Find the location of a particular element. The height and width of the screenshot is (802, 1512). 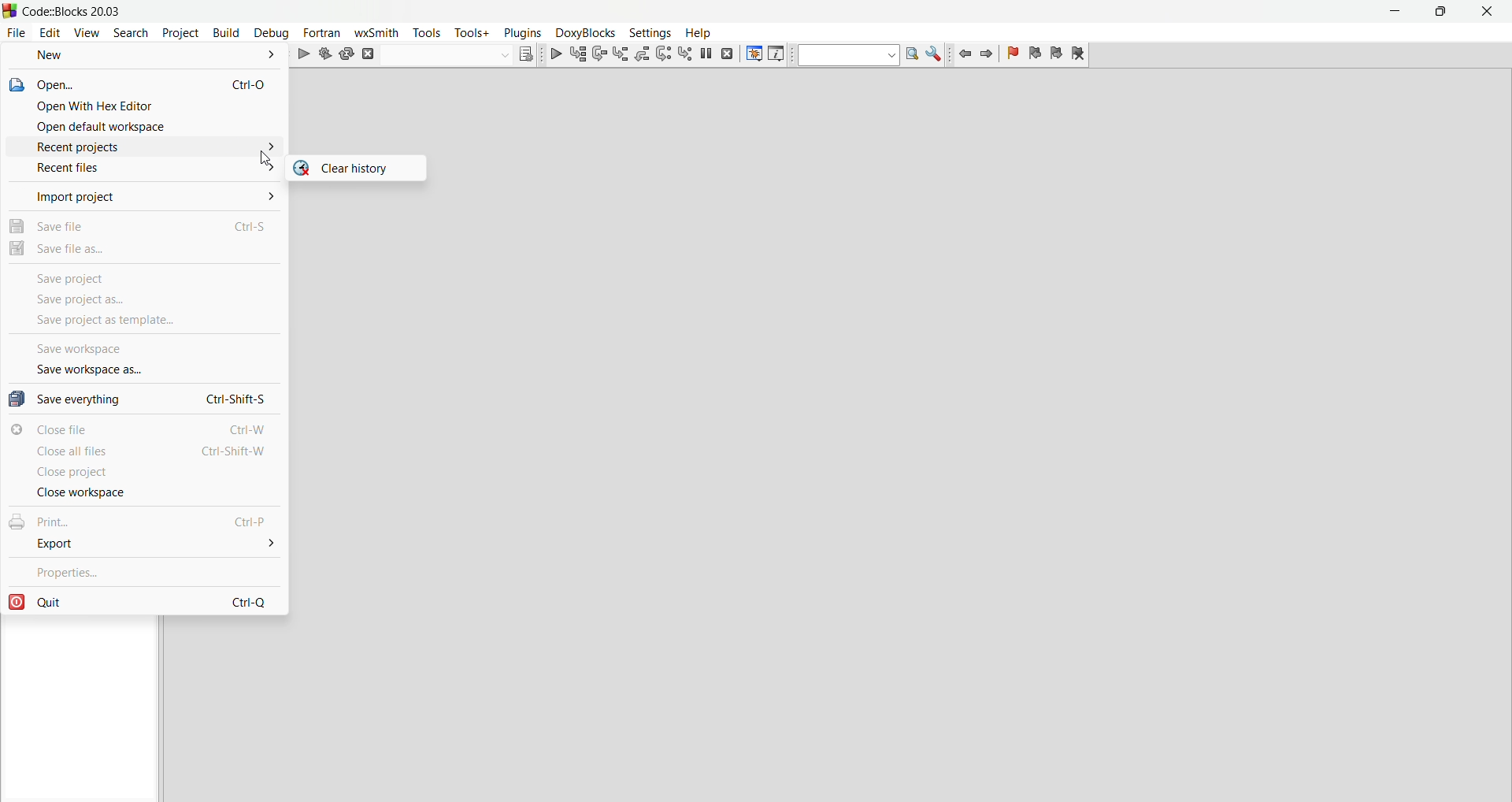

build is located at coordinates (225, 33).